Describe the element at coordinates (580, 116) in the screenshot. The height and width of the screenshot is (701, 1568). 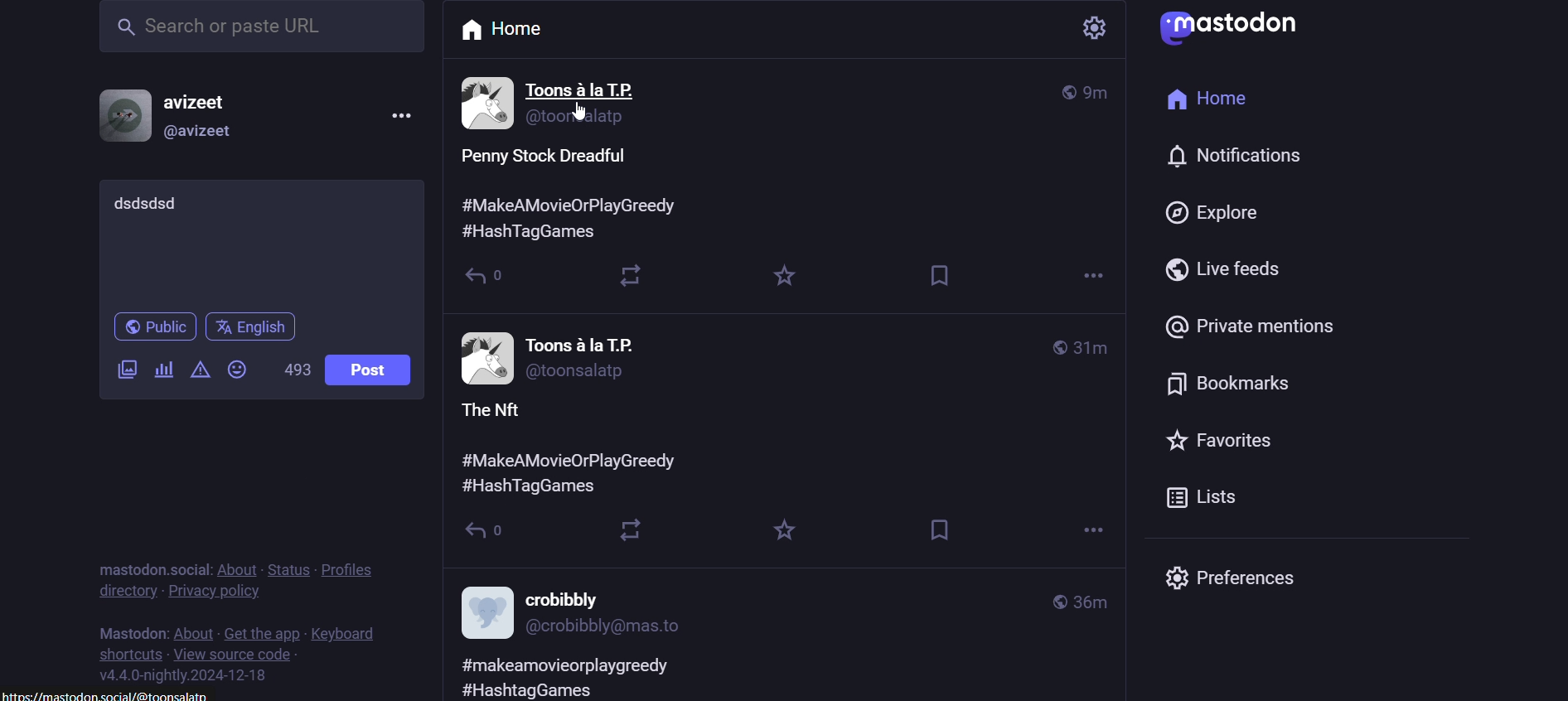
I see `` at that location.